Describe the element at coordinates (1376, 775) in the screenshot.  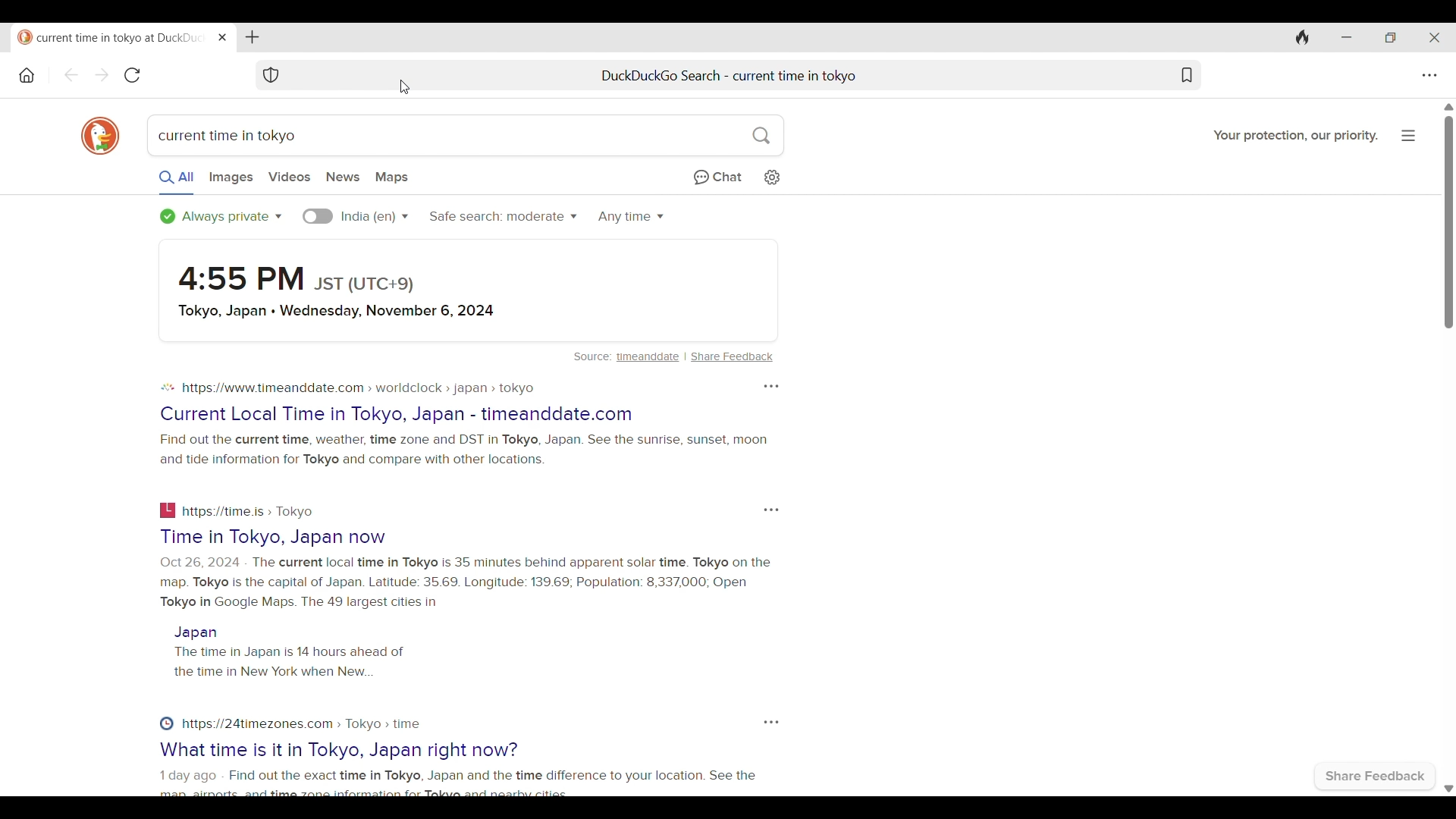
I see `Share feedback with browser` at that location.